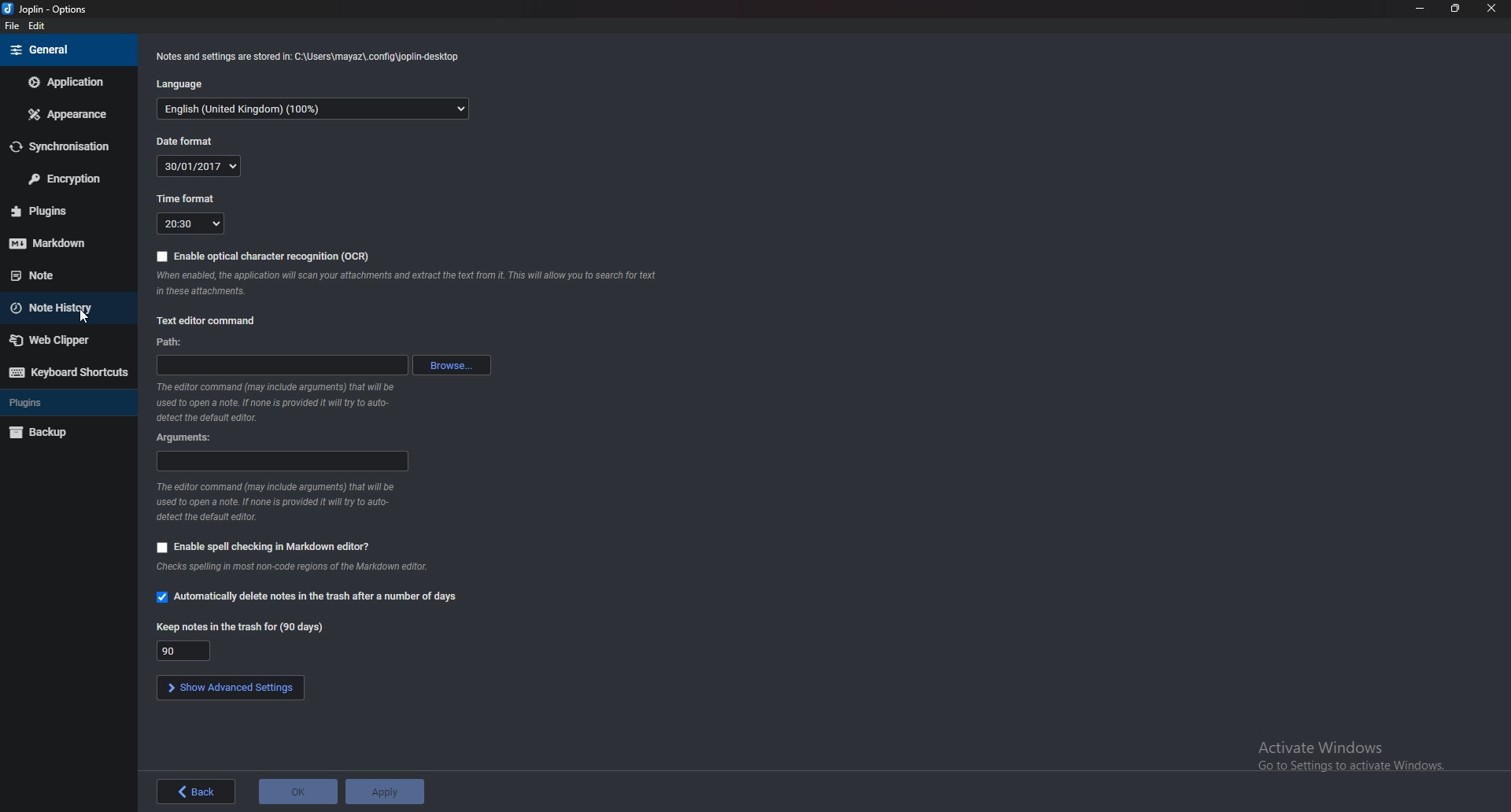  Describe the element at coordinates (163, 548) in the screenshot. I see `checkbox` at that location.